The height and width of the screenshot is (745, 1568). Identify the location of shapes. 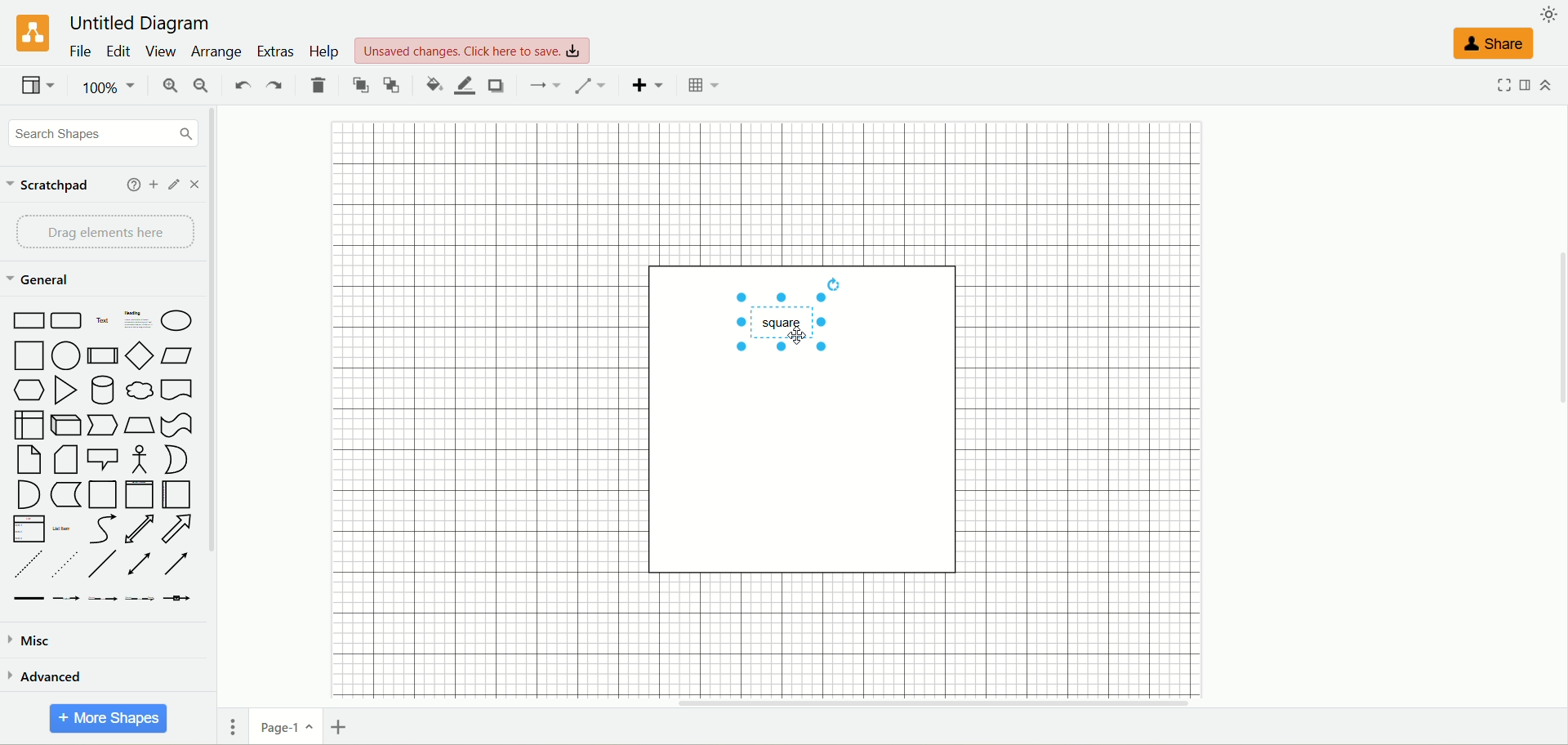
(102, 454).